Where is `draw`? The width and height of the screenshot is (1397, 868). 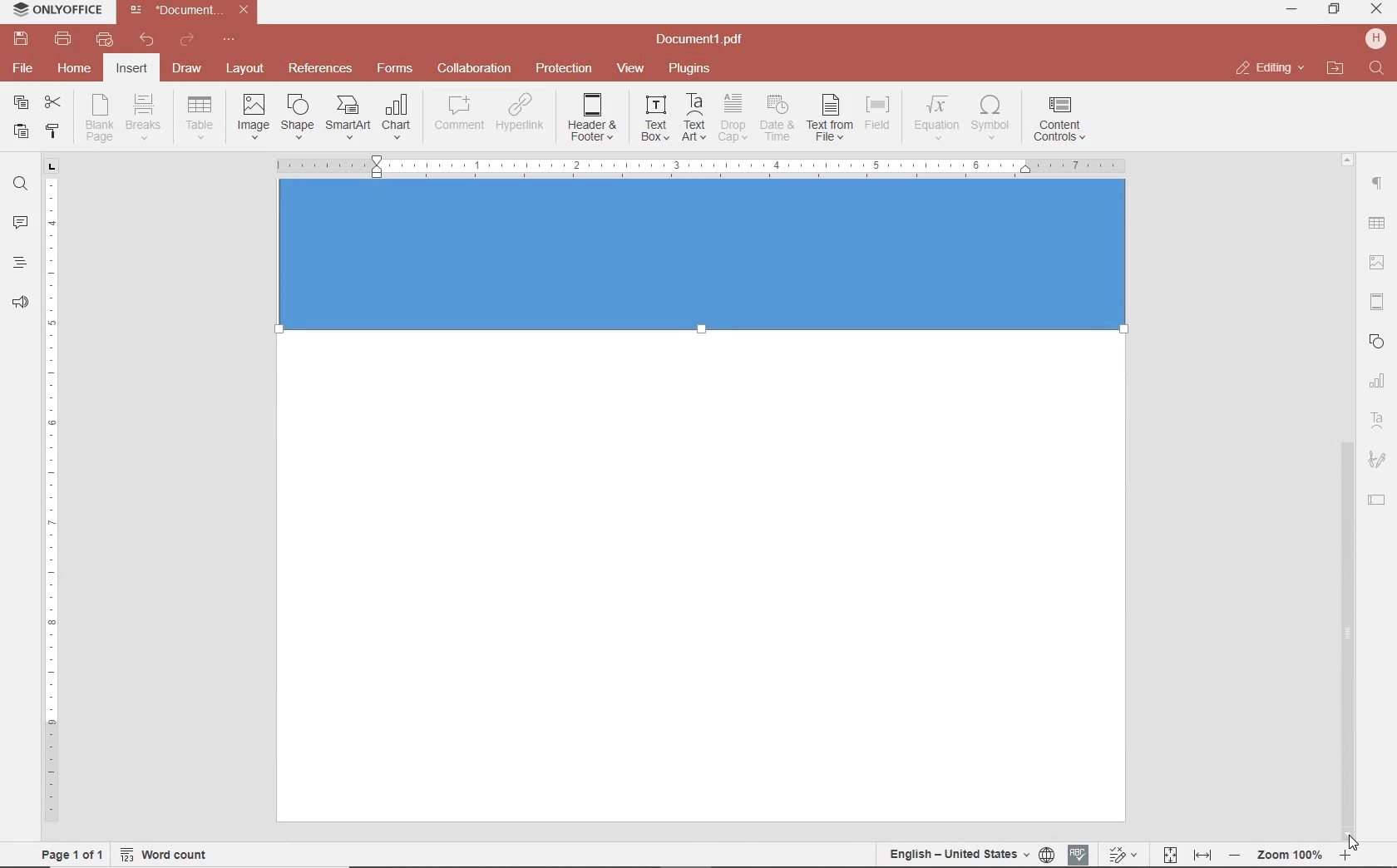
draw is located at coordinates (188, 67).